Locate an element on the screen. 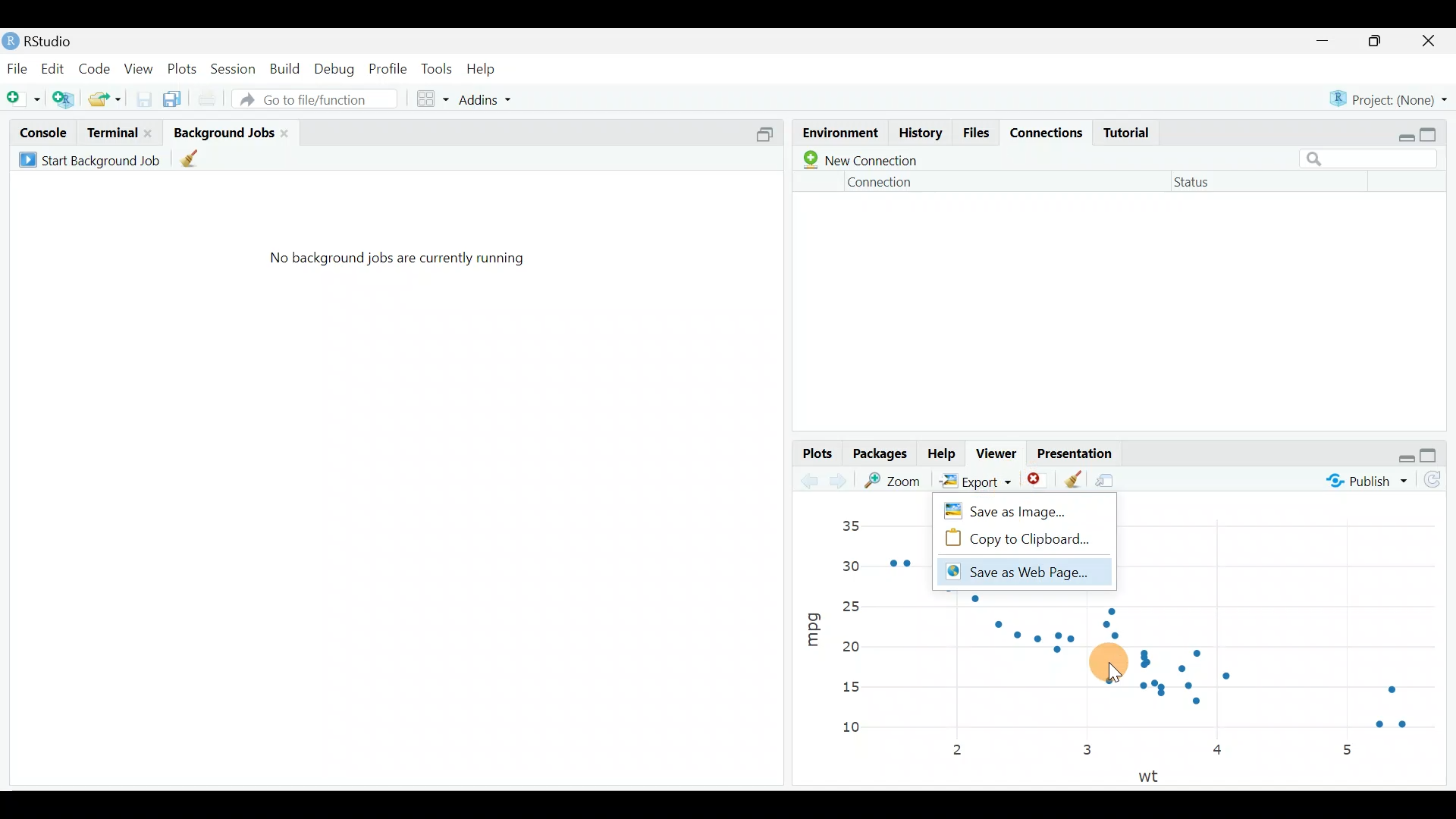 The height and width of the screenshot is (819, 1456). Zoom is located at coordinates (896, 480).